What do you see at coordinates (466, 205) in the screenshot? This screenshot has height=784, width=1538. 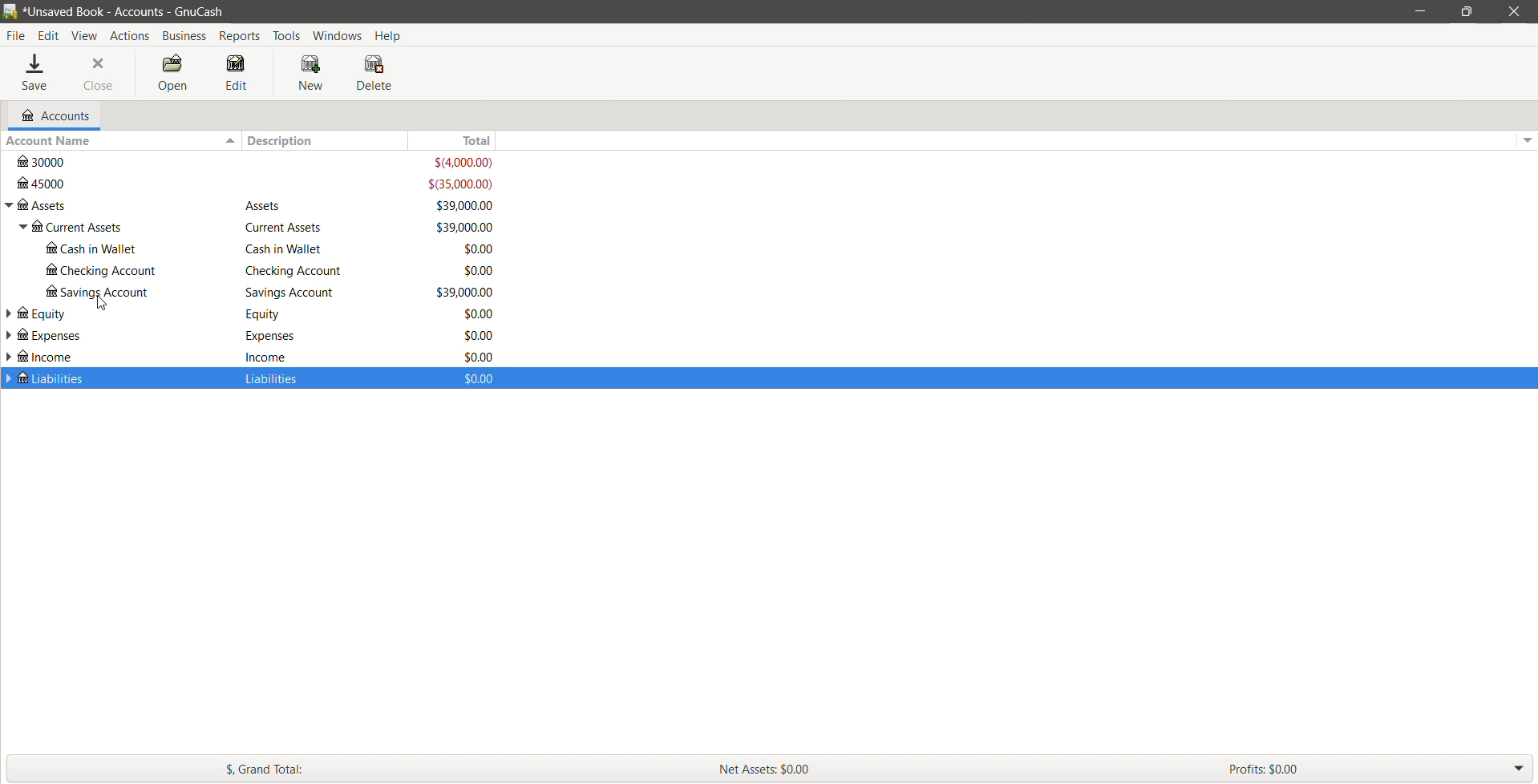 I see `$39,000.00` at bounding box center [466, 205].